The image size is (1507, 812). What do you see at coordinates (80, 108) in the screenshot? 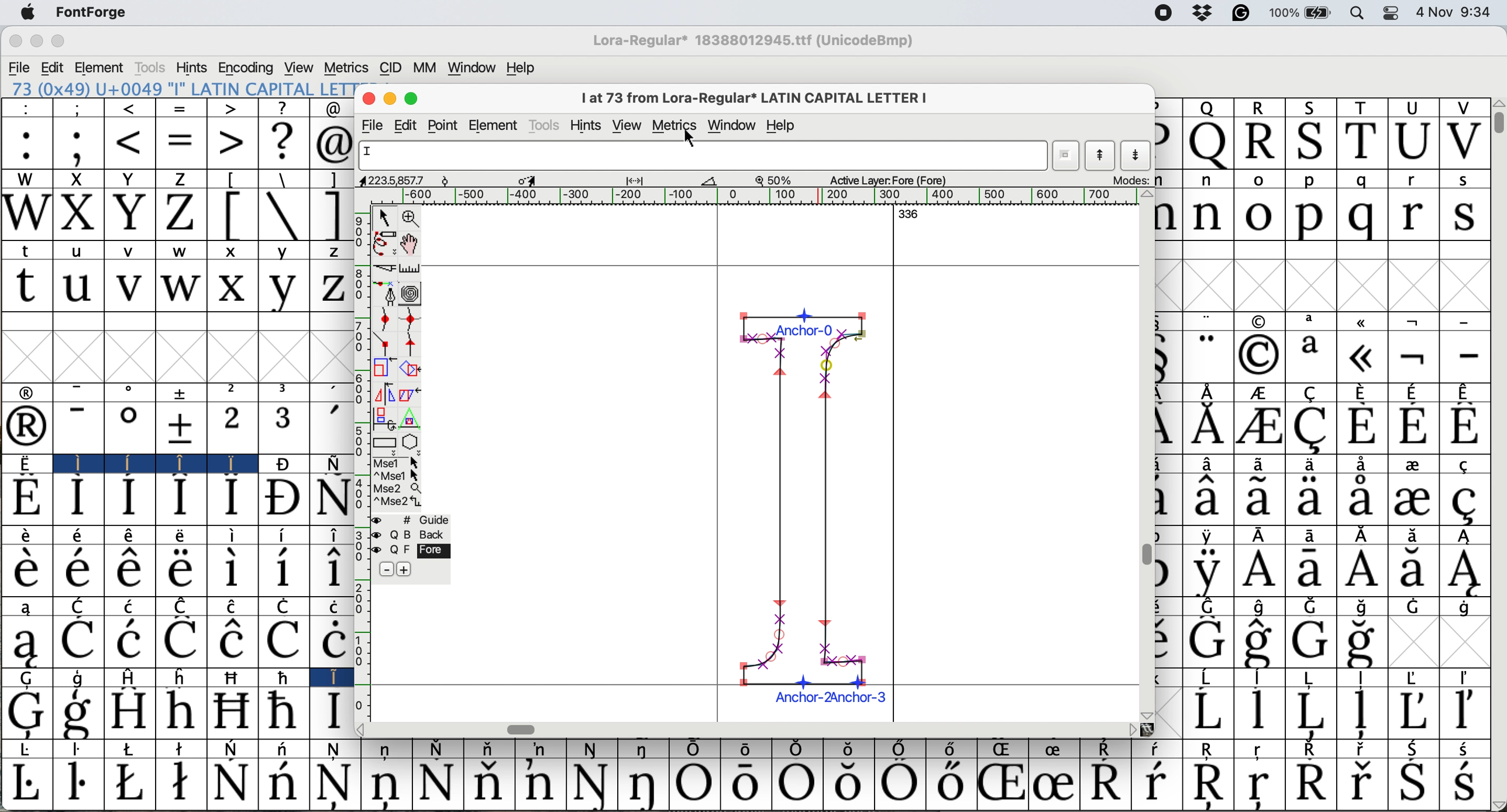
I see `;` at bounding box center [80, 108].